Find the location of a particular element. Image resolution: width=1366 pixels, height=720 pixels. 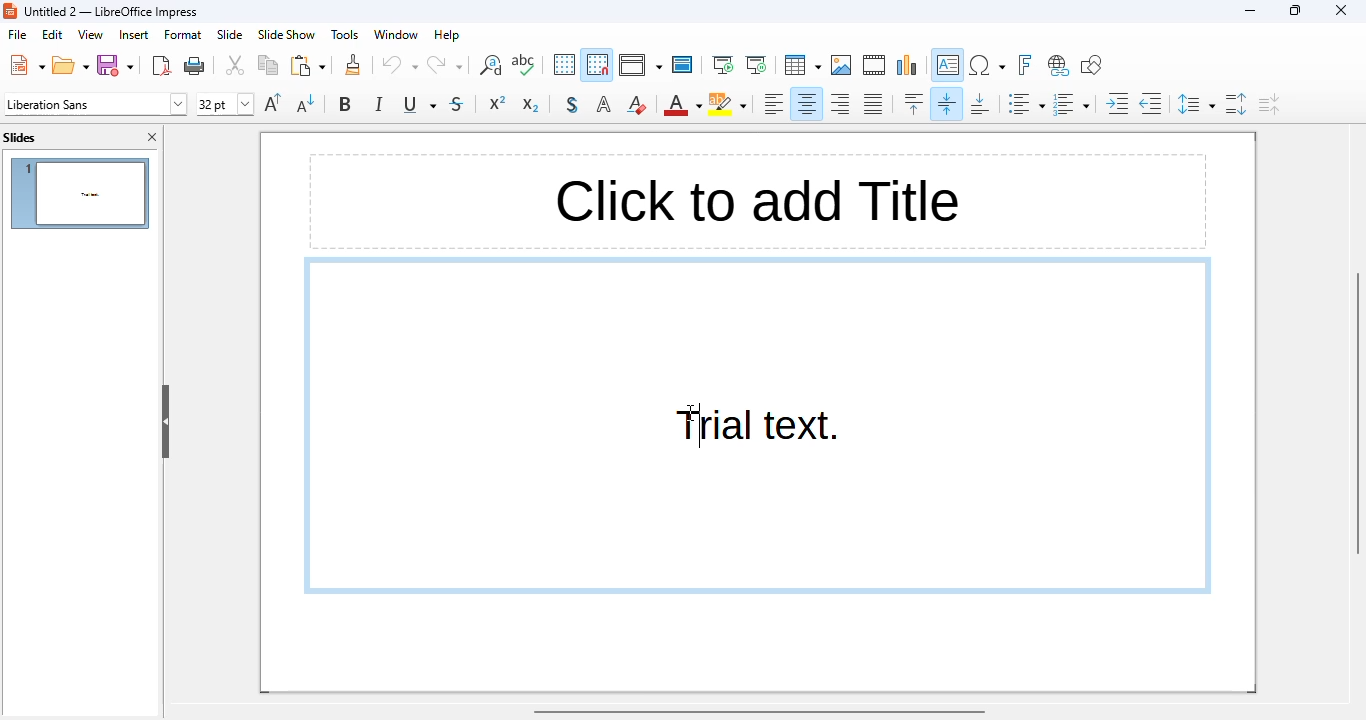

character highlighting color is located at coordinates (727, 104).